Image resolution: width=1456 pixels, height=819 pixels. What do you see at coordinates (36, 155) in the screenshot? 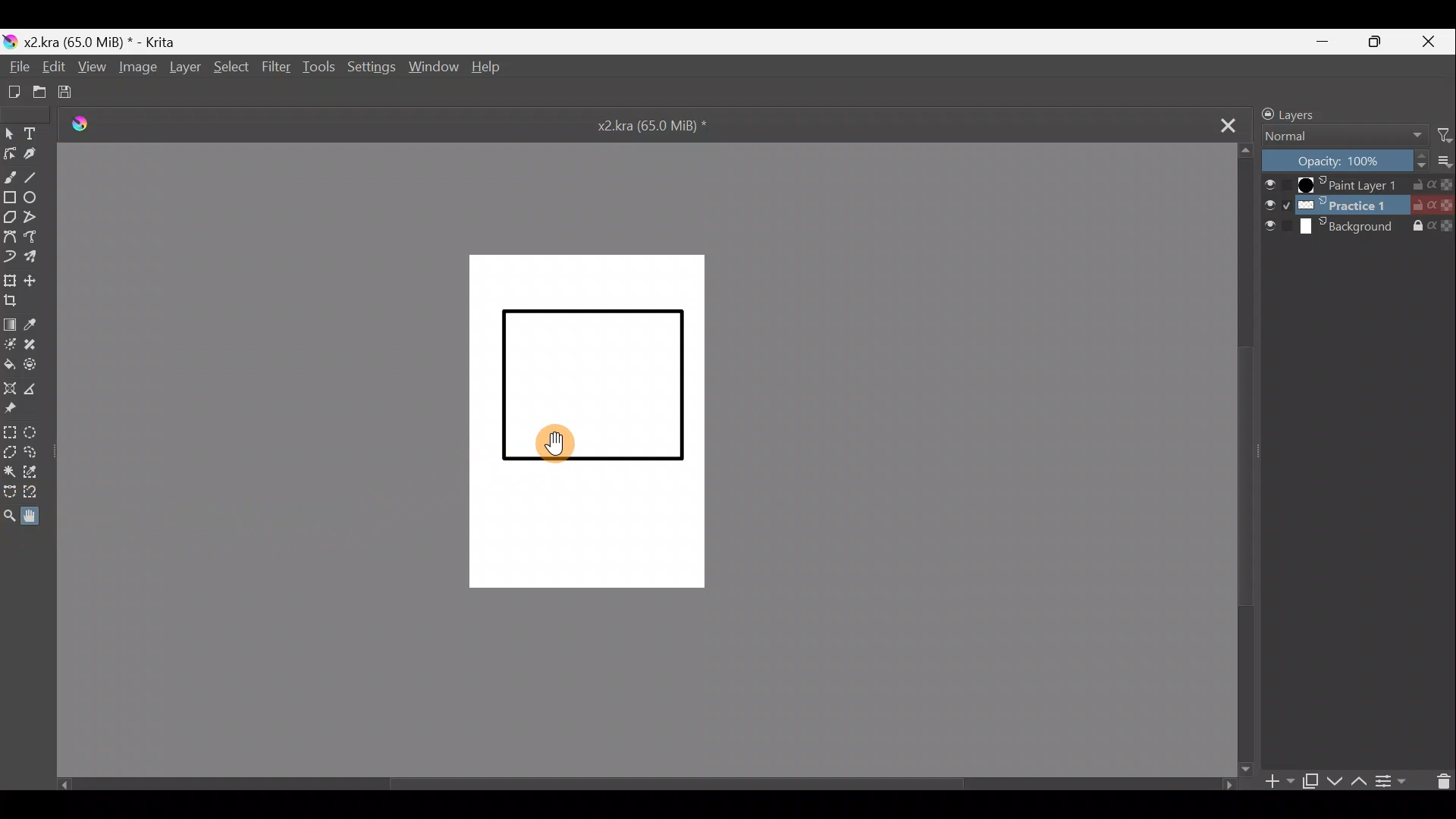
I see `Calligraphy` at bounding box center [36, 155].